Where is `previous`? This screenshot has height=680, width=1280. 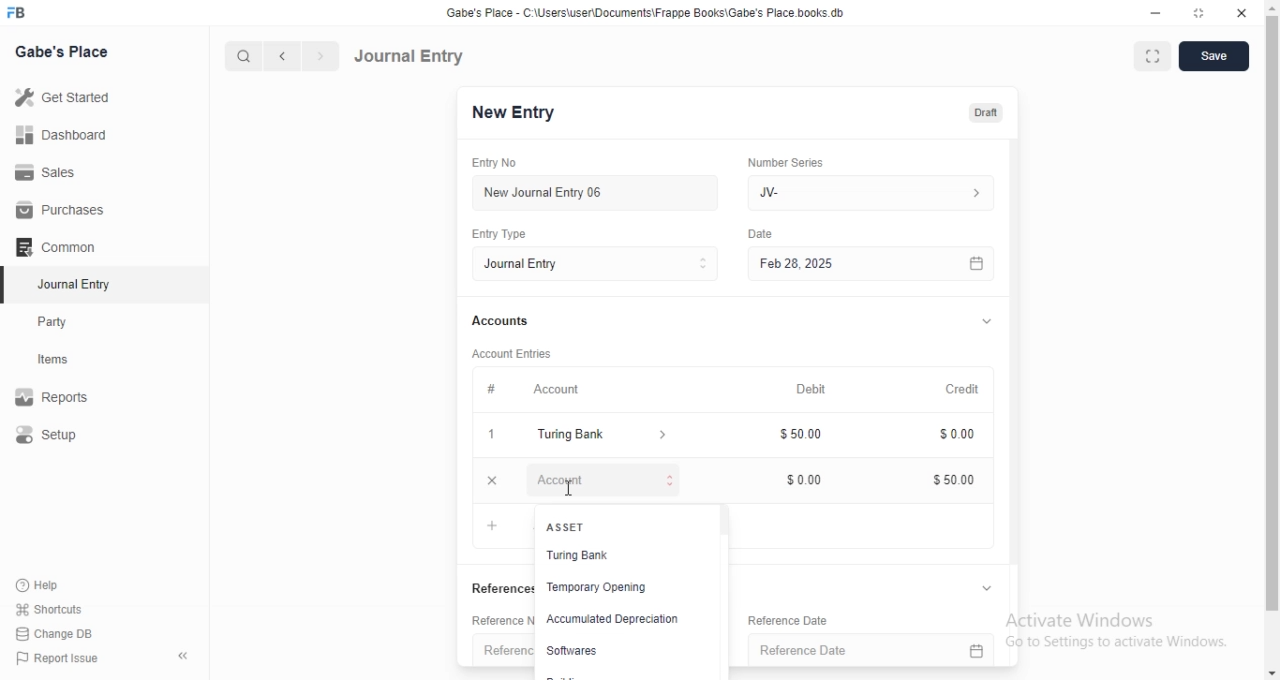
previous is located at coordinates (279, 56).